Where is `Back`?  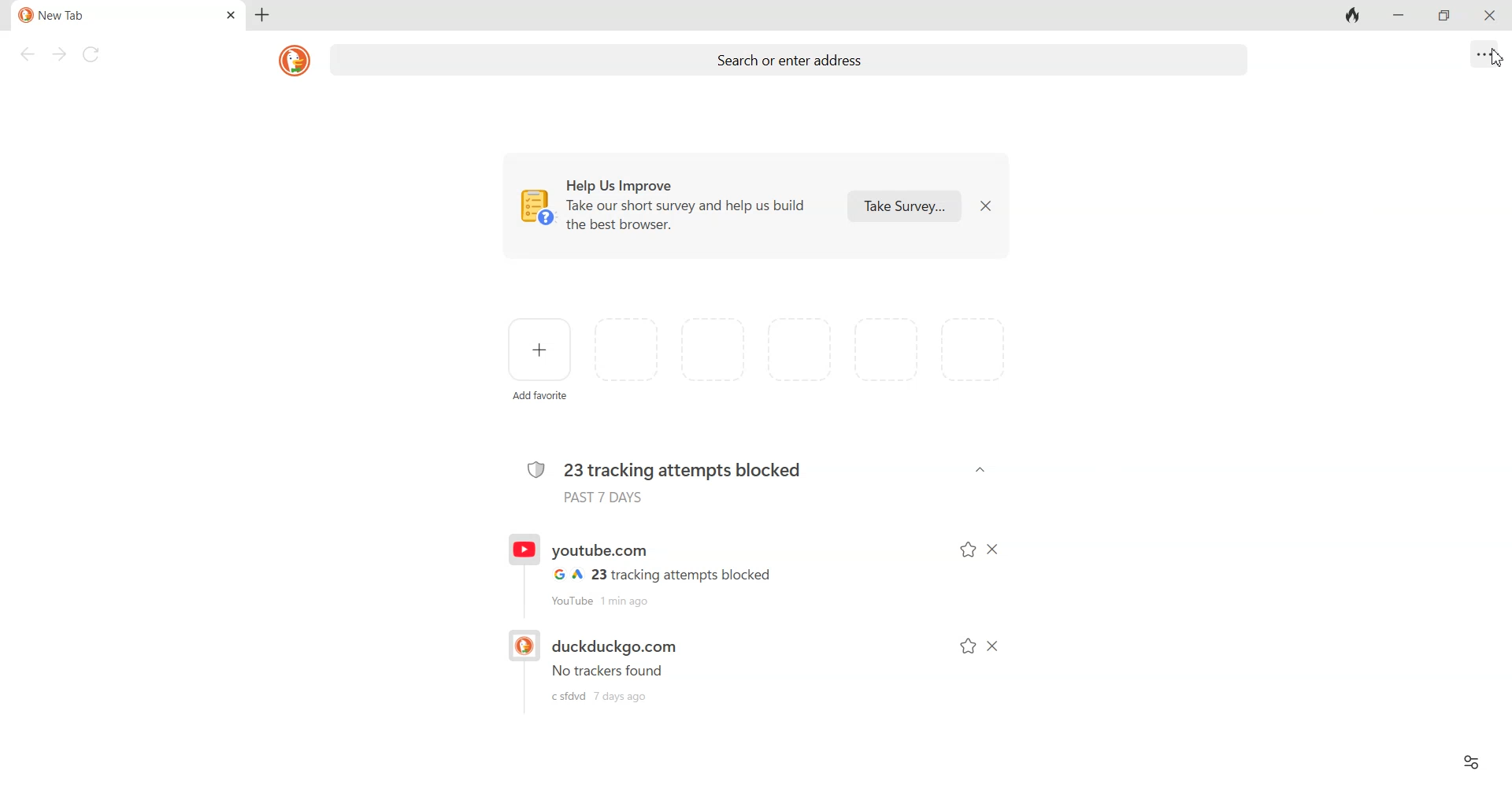 Back is located at coordinates (26, 54).